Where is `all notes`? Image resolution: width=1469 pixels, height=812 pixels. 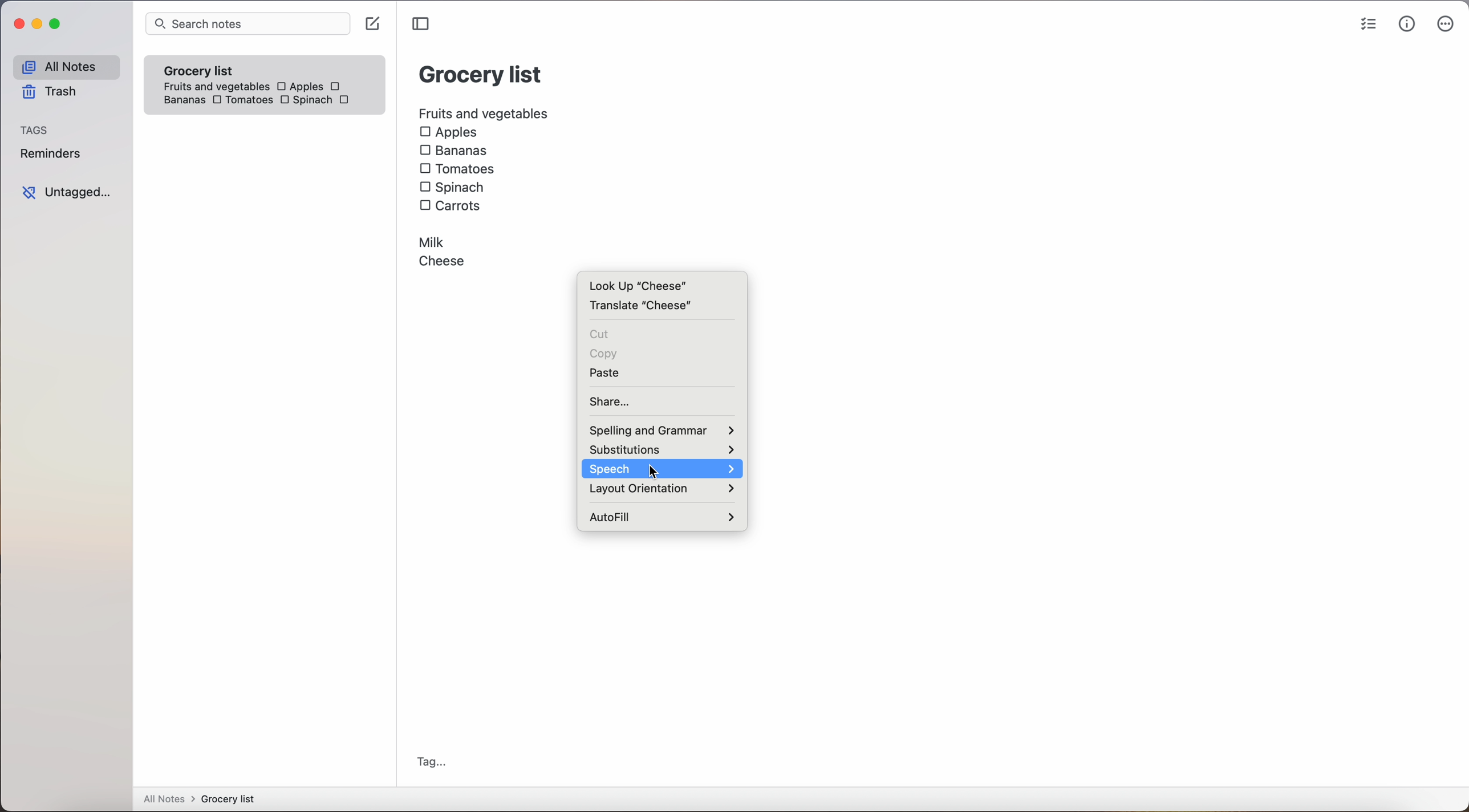 all notes is located at coordinates (198, 799).